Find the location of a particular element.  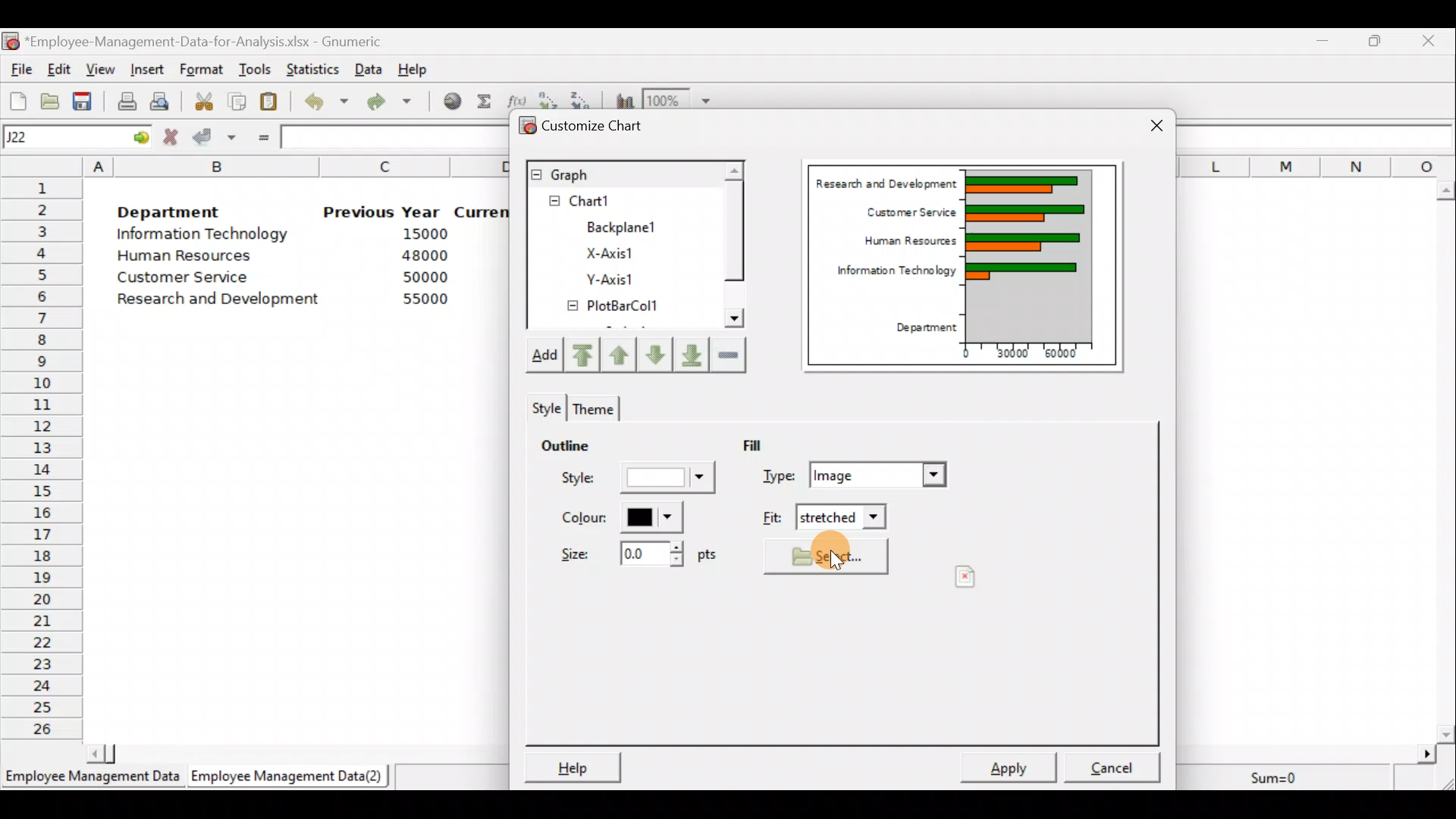

Cut the selection is located at coordinates (206, 104).